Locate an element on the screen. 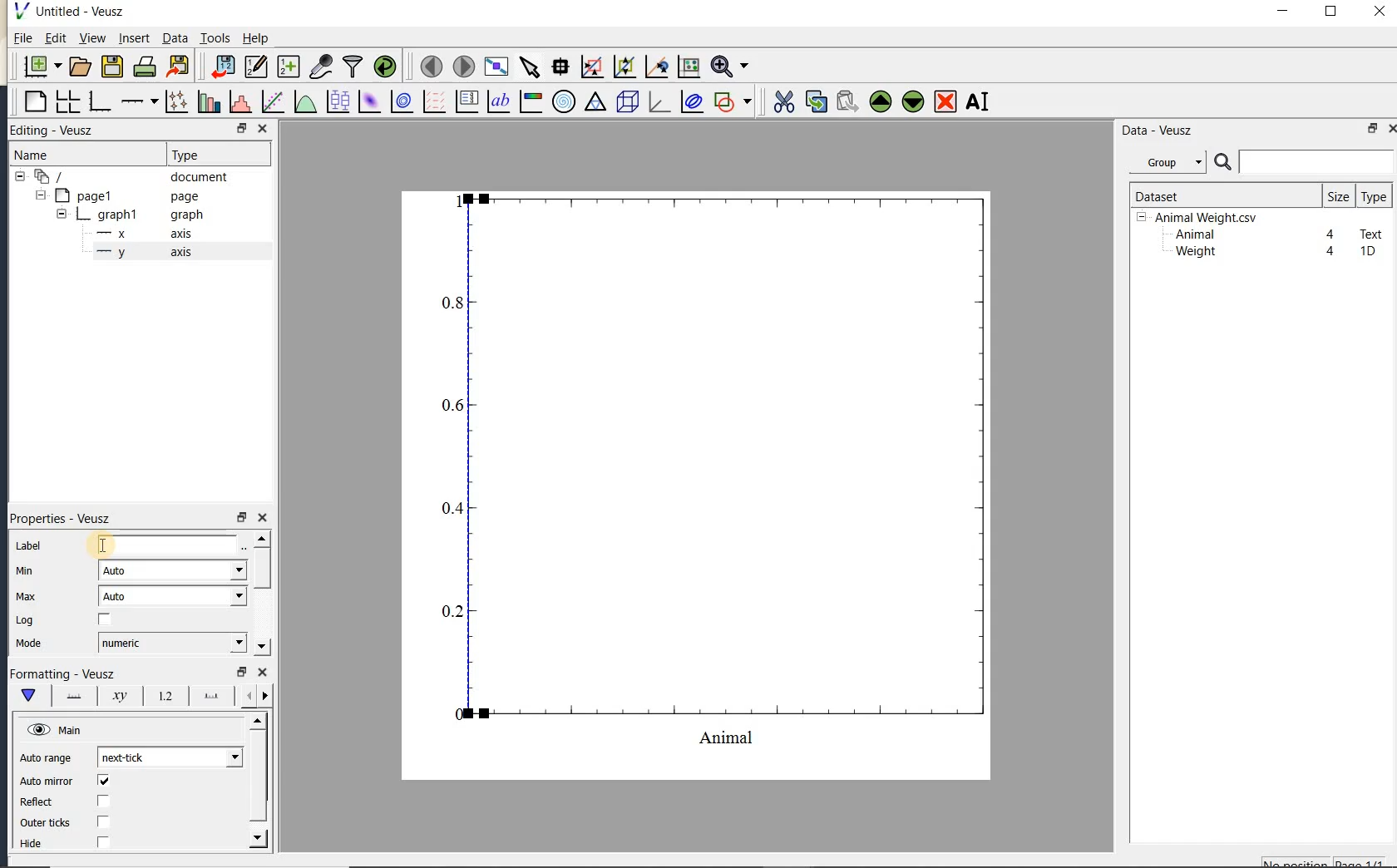 This screenshot has height=868, width=1397. check/uncheck is located at coordinates (102, 841).